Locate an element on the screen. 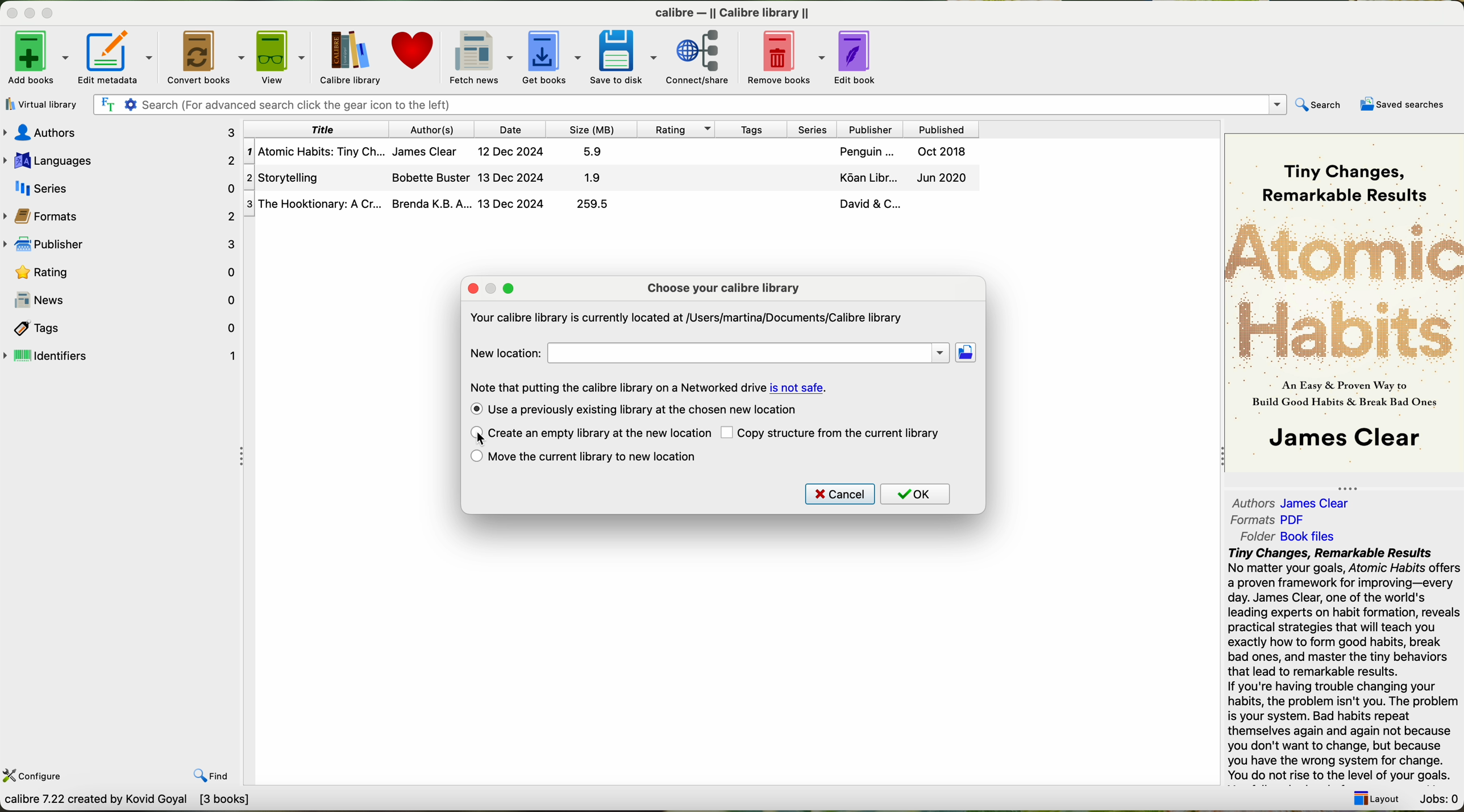  publisher is located at coordinates (123, 245).